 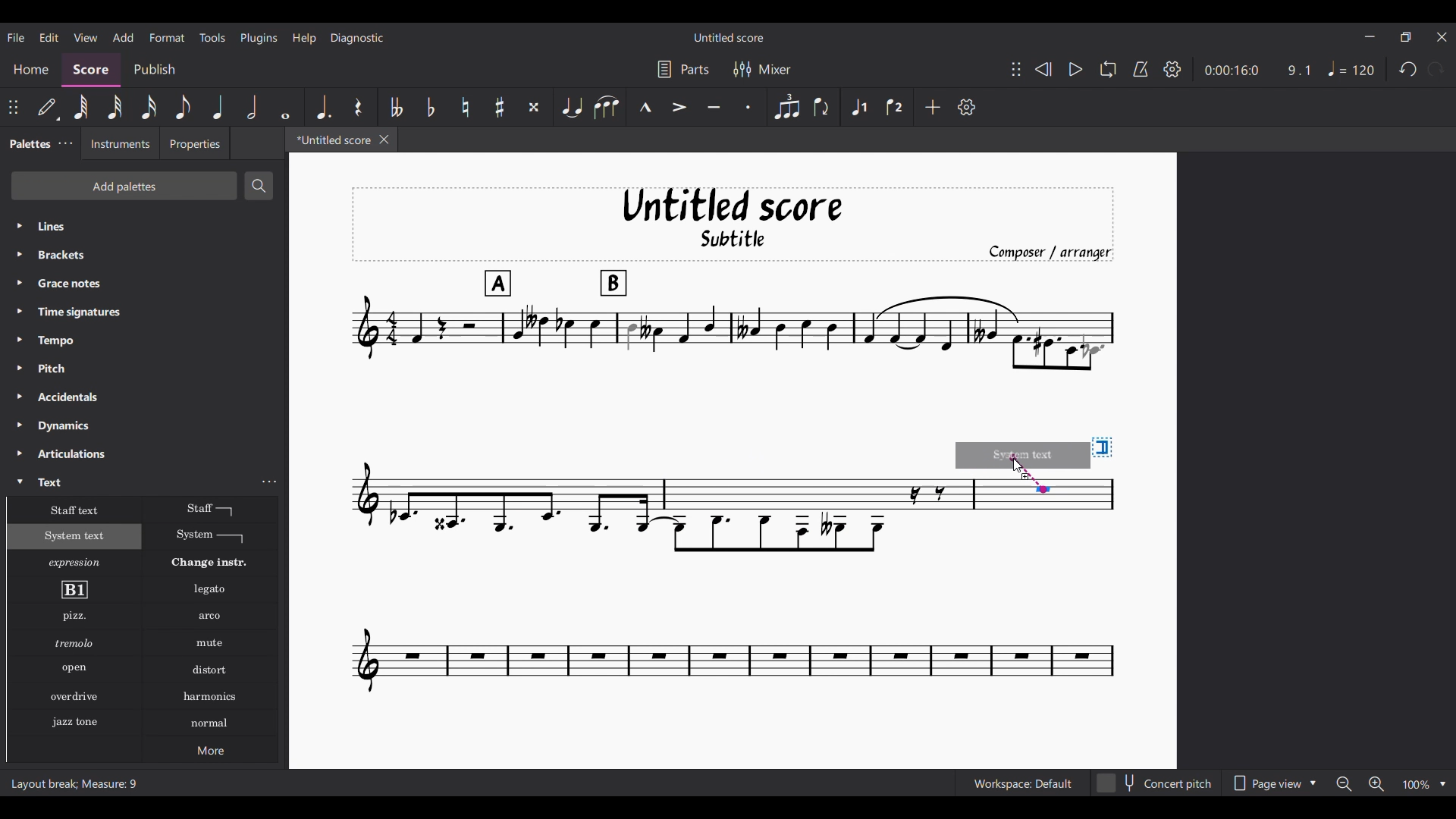 What do you see at coordinates (571, 106) in the screenshot?
I see `Tie` at bounding box center [571, 106].